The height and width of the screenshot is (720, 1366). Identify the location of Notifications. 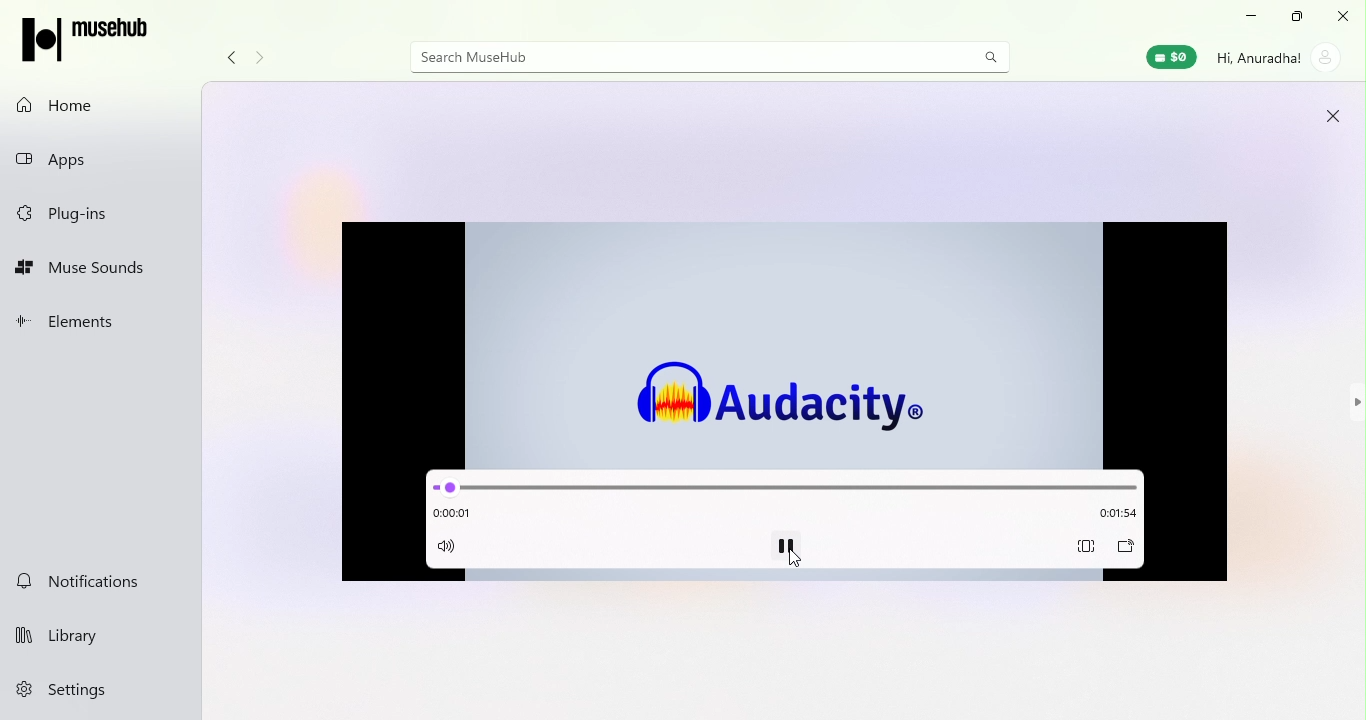
(98, 583).